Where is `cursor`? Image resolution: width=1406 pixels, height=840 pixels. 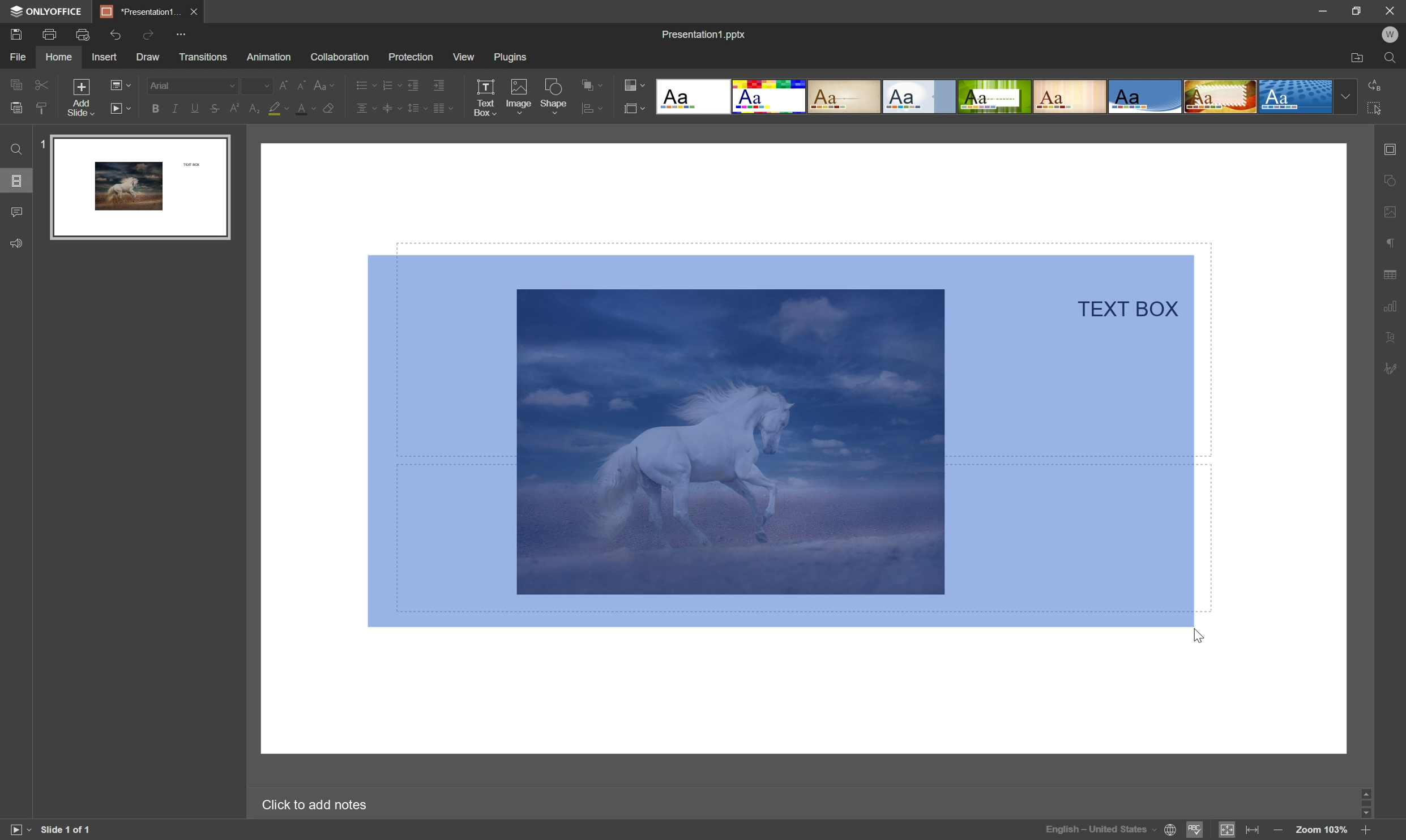
cursor is located at coordinates (1196, 635).